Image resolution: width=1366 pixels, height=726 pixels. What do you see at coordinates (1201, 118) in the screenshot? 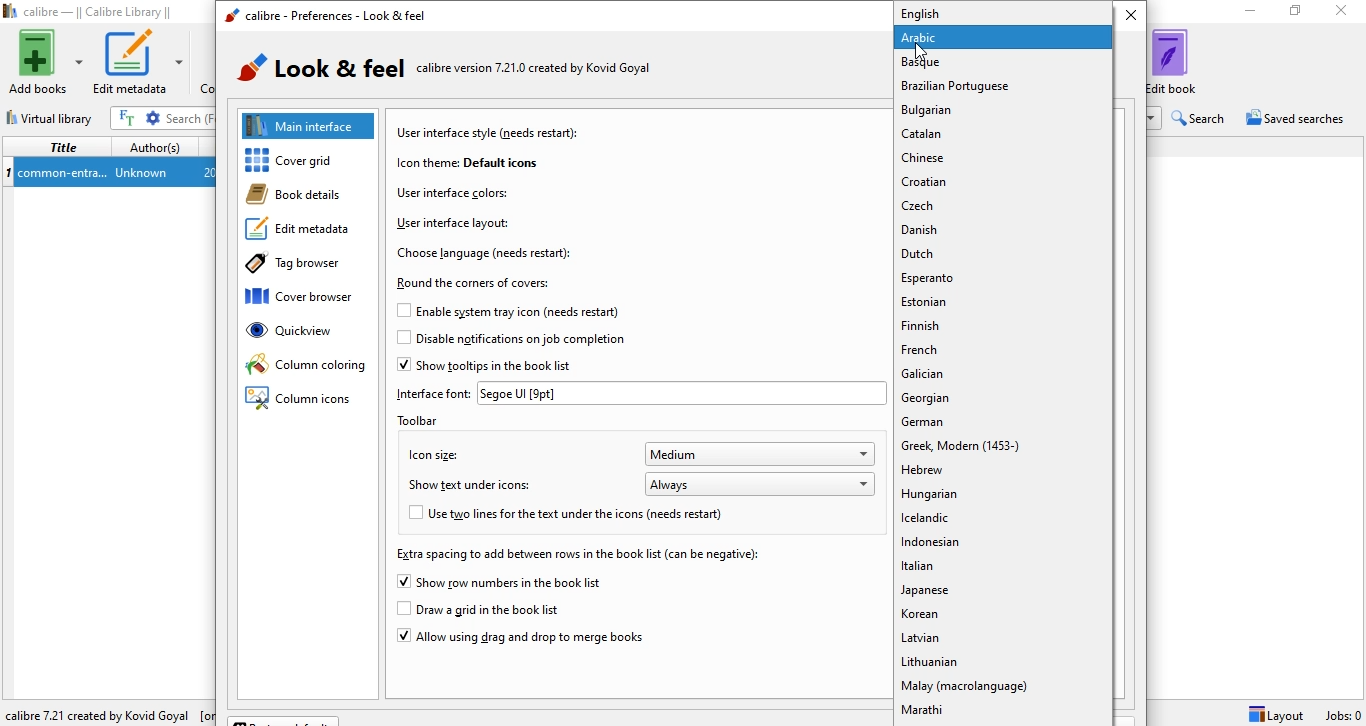
I see `Search` at bounding box center [1201, 118].